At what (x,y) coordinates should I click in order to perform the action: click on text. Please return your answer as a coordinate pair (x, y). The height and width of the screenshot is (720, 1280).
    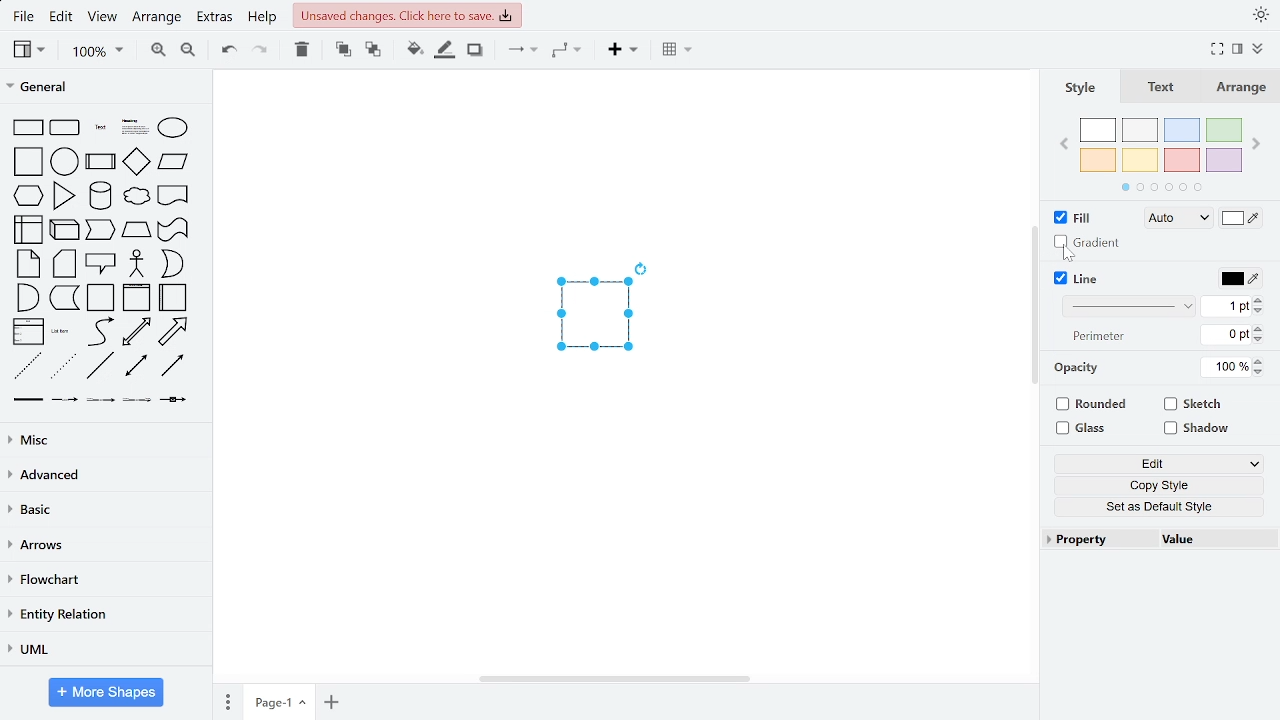
    Looking at the image, I should click on (1099, 337).